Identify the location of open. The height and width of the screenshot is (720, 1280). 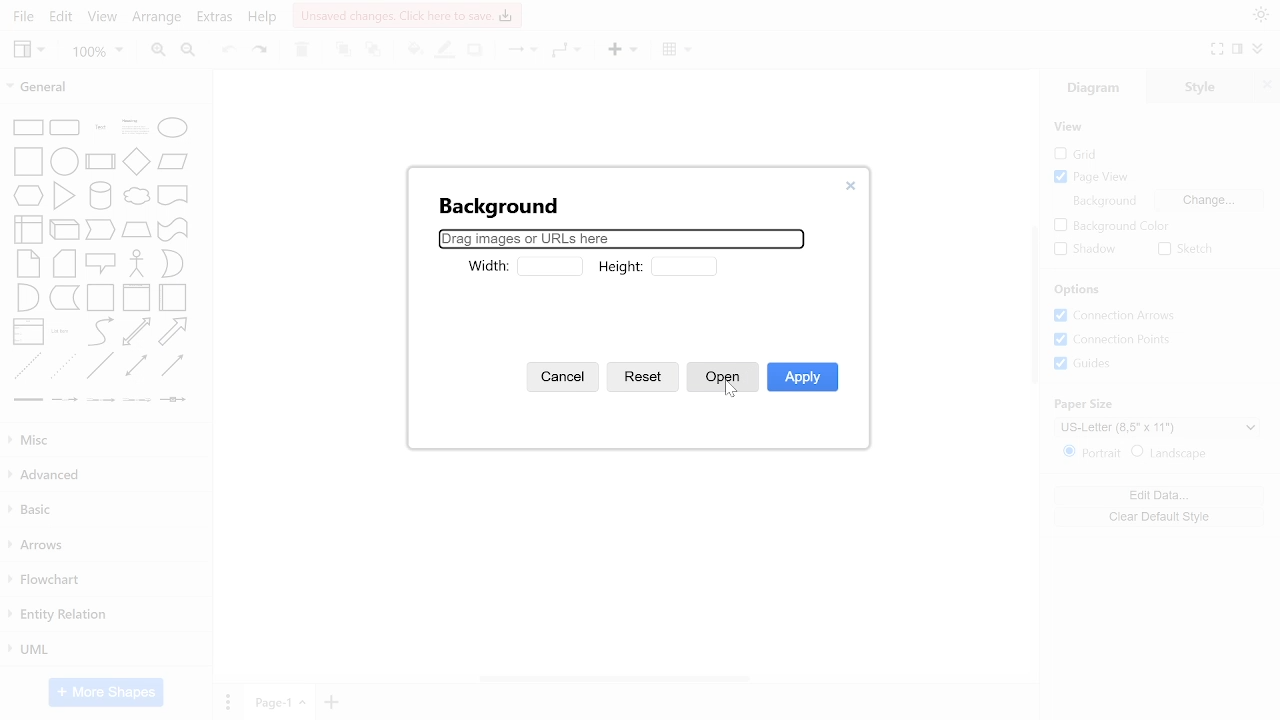
(722, 379).